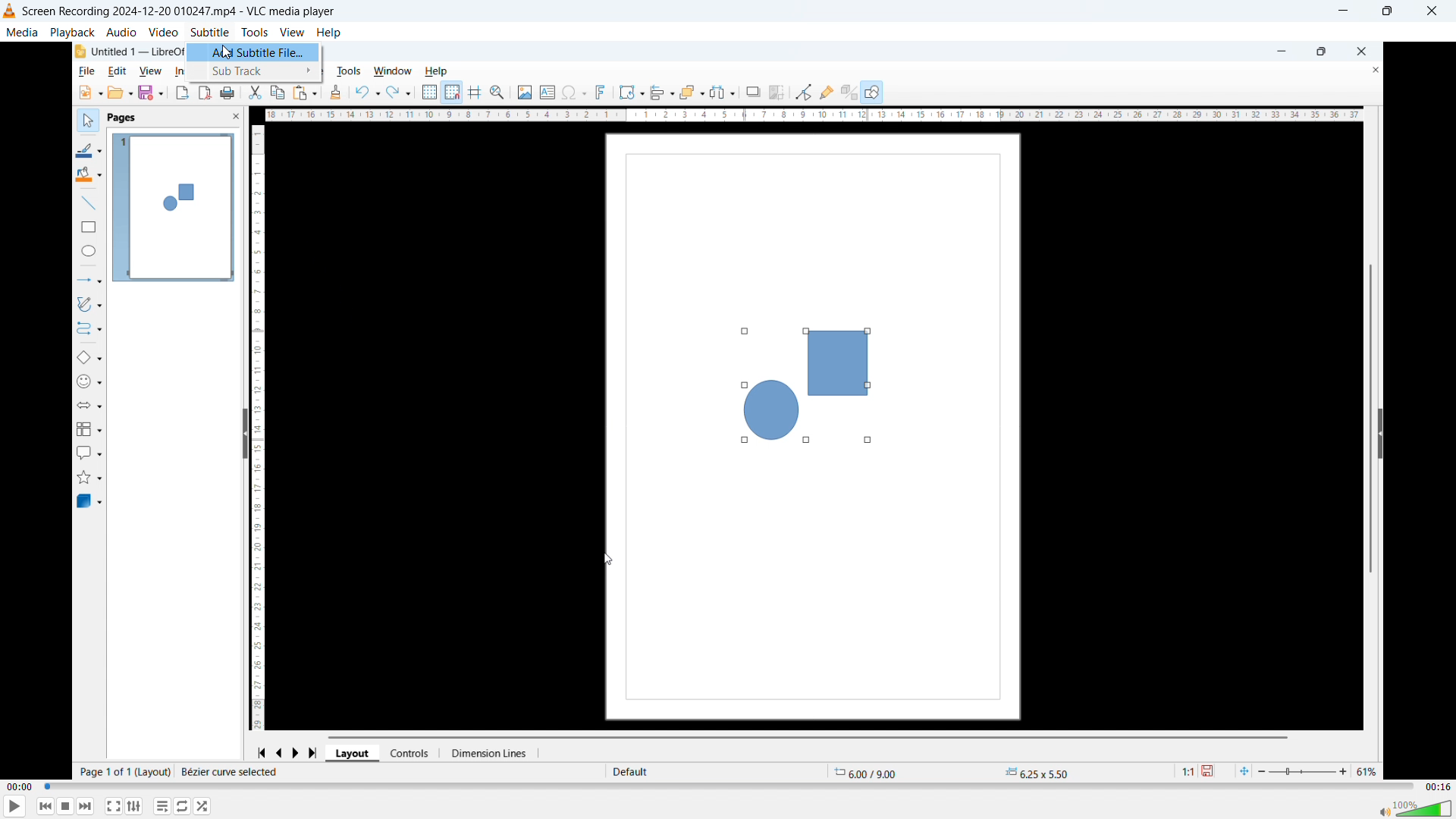 Image resolution: width=1456 pixels, height=819 pixels. Describe the element at coordinates (90, 359) in the screenshot. I see `basic shapes` at that location.